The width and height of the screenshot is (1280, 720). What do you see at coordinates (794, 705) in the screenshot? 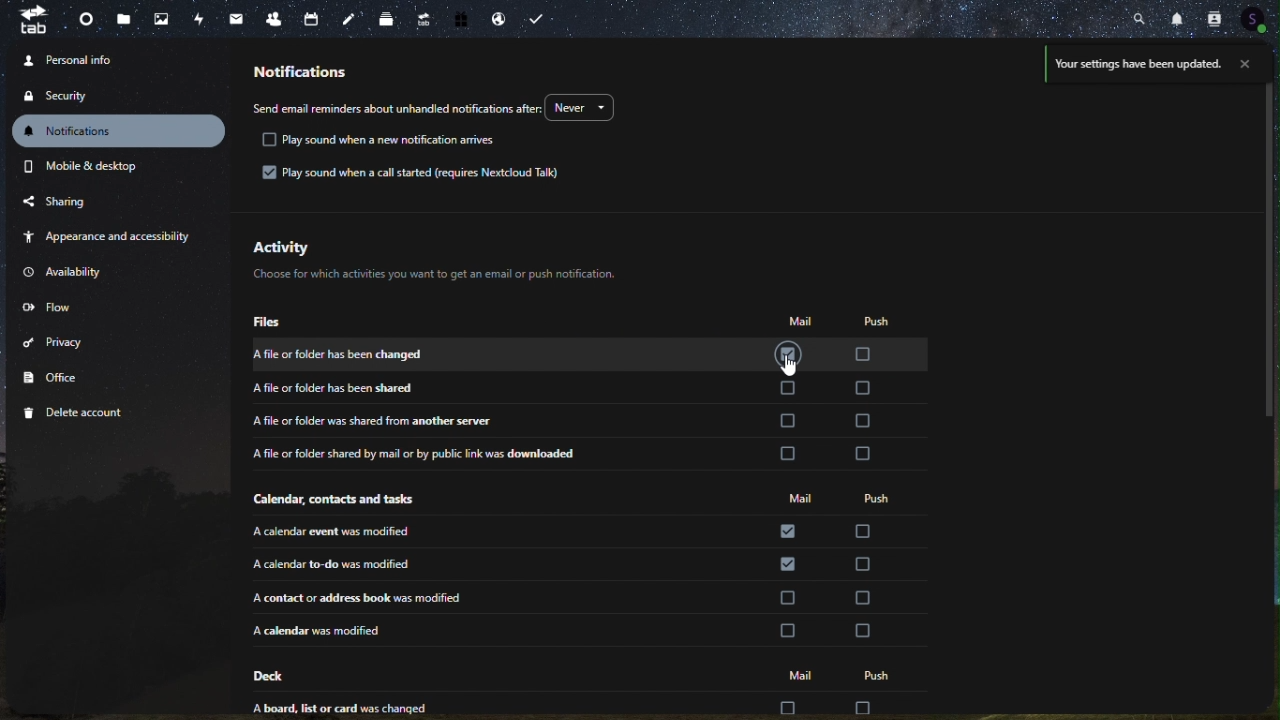
I see `check box` at bounding box center [794, 705].